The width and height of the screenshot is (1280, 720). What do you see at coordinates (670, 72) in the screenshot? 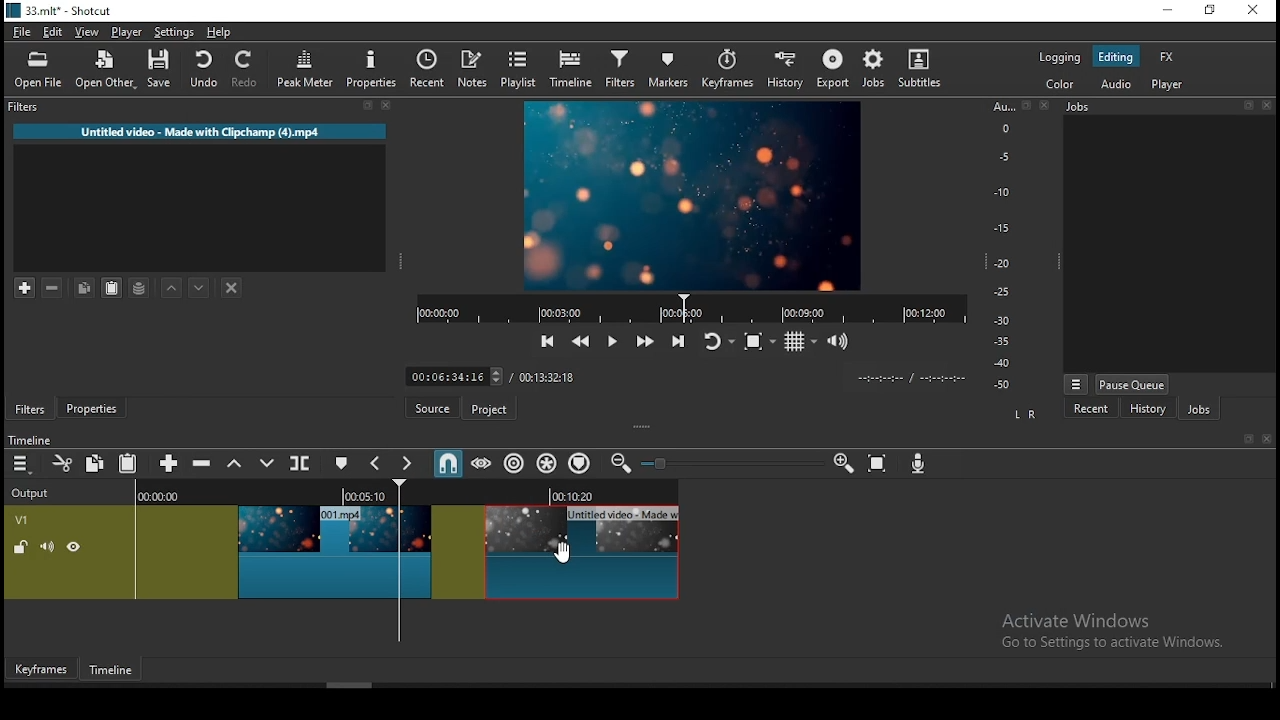
I see `markers` at bounding box center [670, 72].